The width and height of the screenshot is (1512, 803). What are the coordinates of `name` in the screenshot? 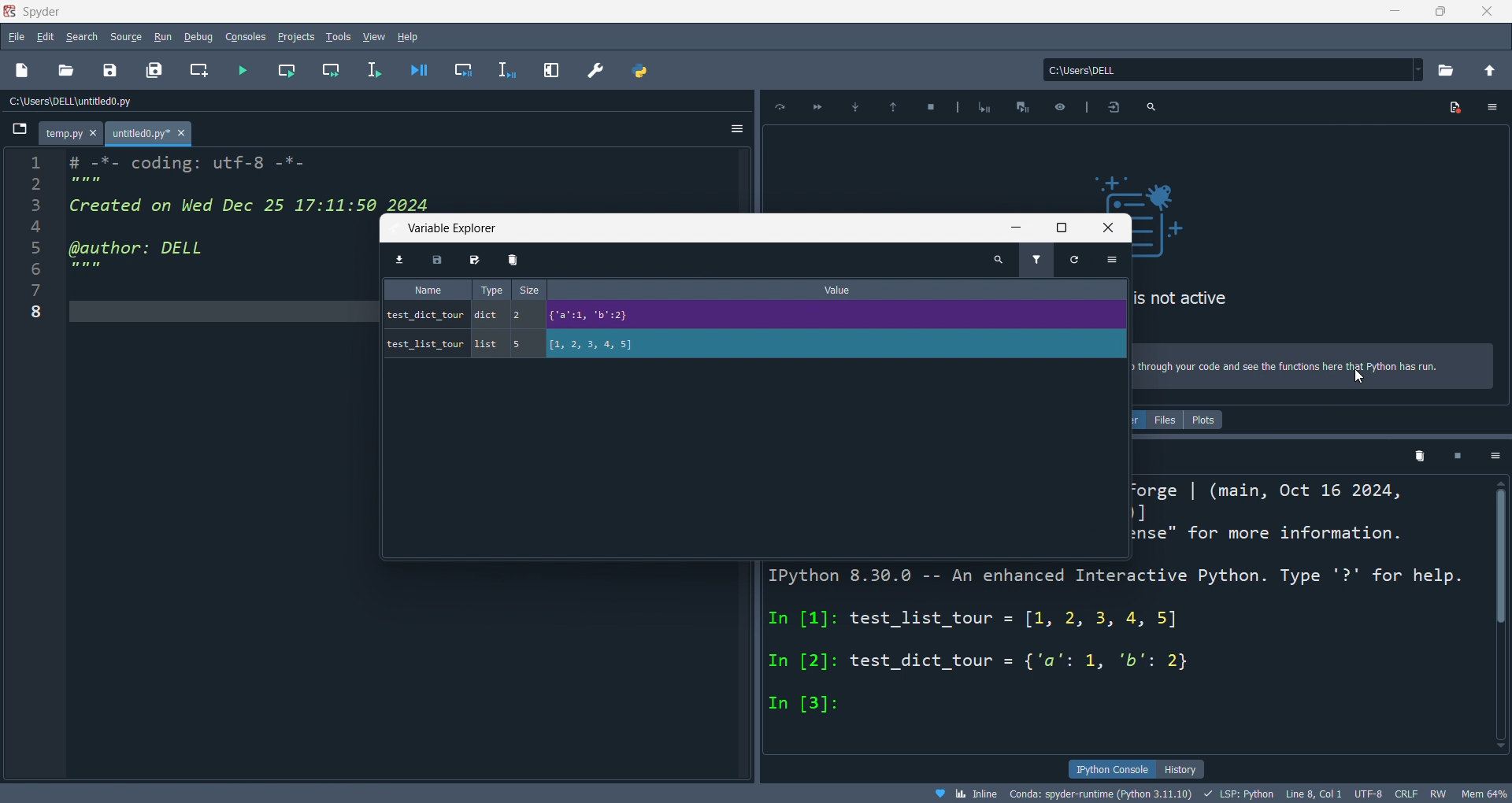 It's located at (428, 289).